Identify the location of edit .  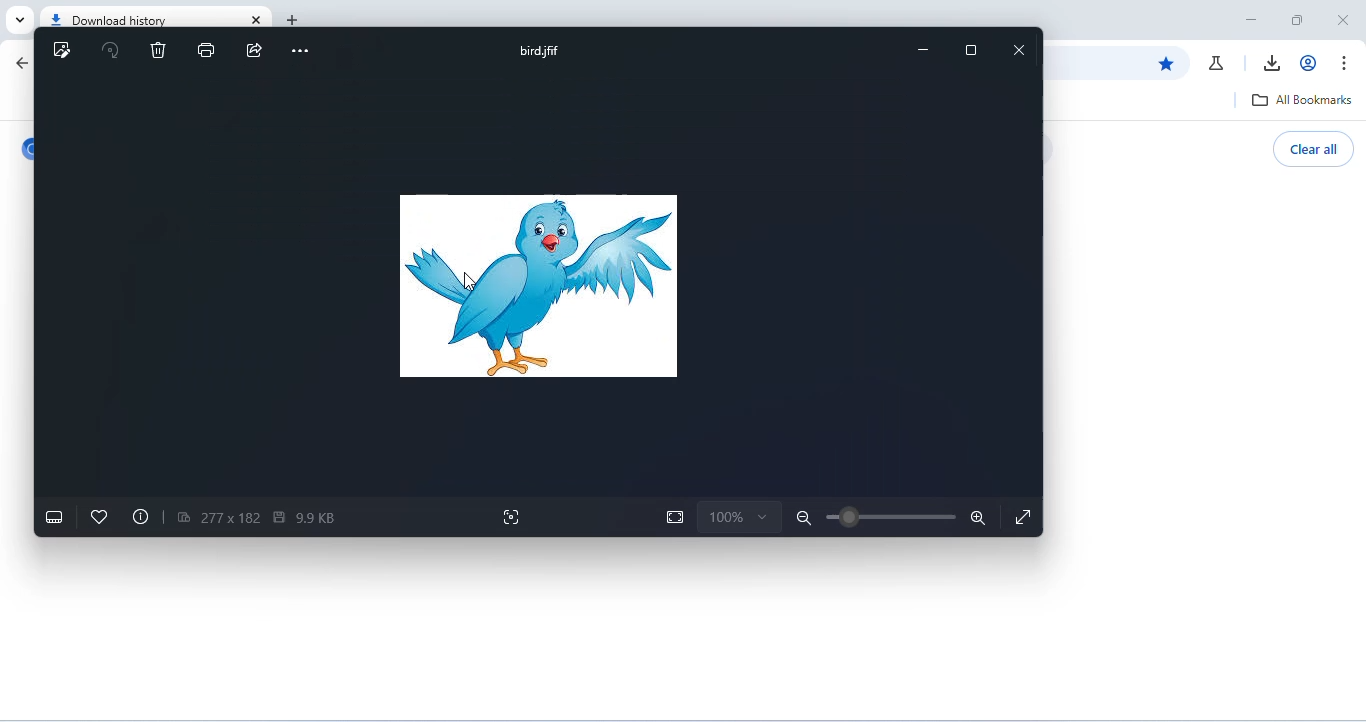
(62, 51).